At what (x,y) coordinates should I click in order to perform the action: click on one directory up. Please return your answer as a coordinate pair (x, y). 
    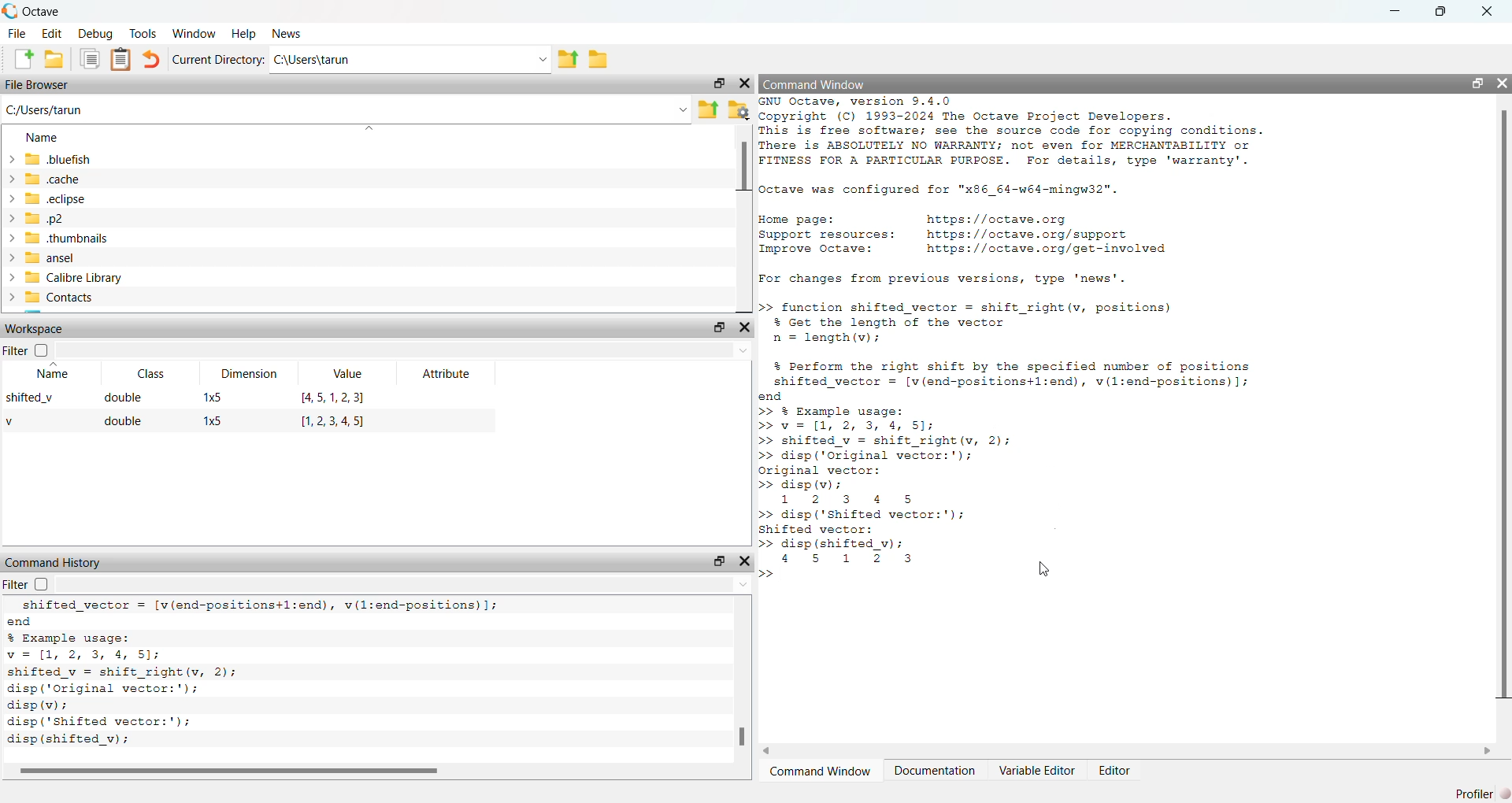
    Looking at the image, I should click on (708, 109).